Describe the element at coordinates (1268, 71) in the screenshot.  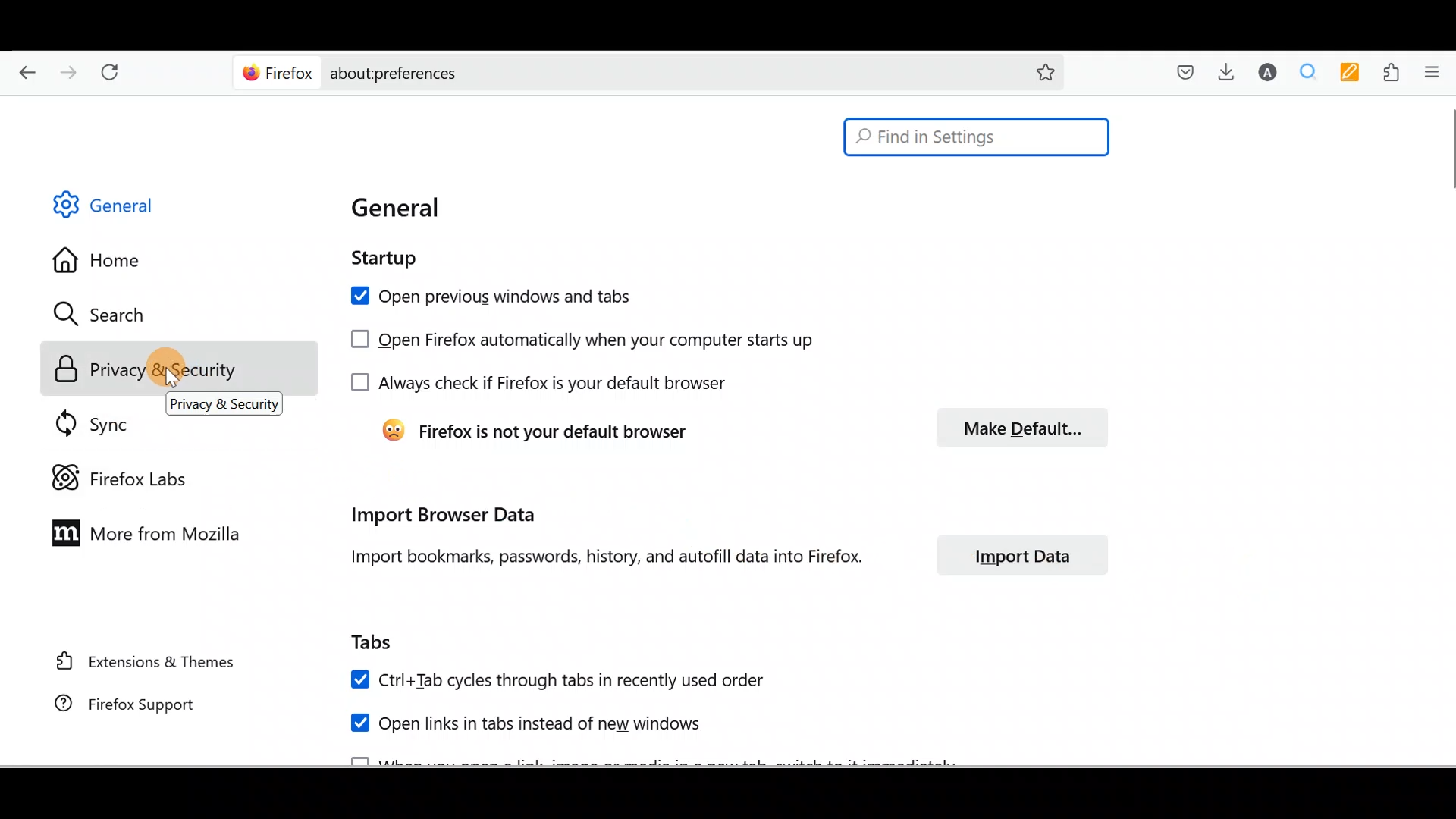
I see `Account` at that location.